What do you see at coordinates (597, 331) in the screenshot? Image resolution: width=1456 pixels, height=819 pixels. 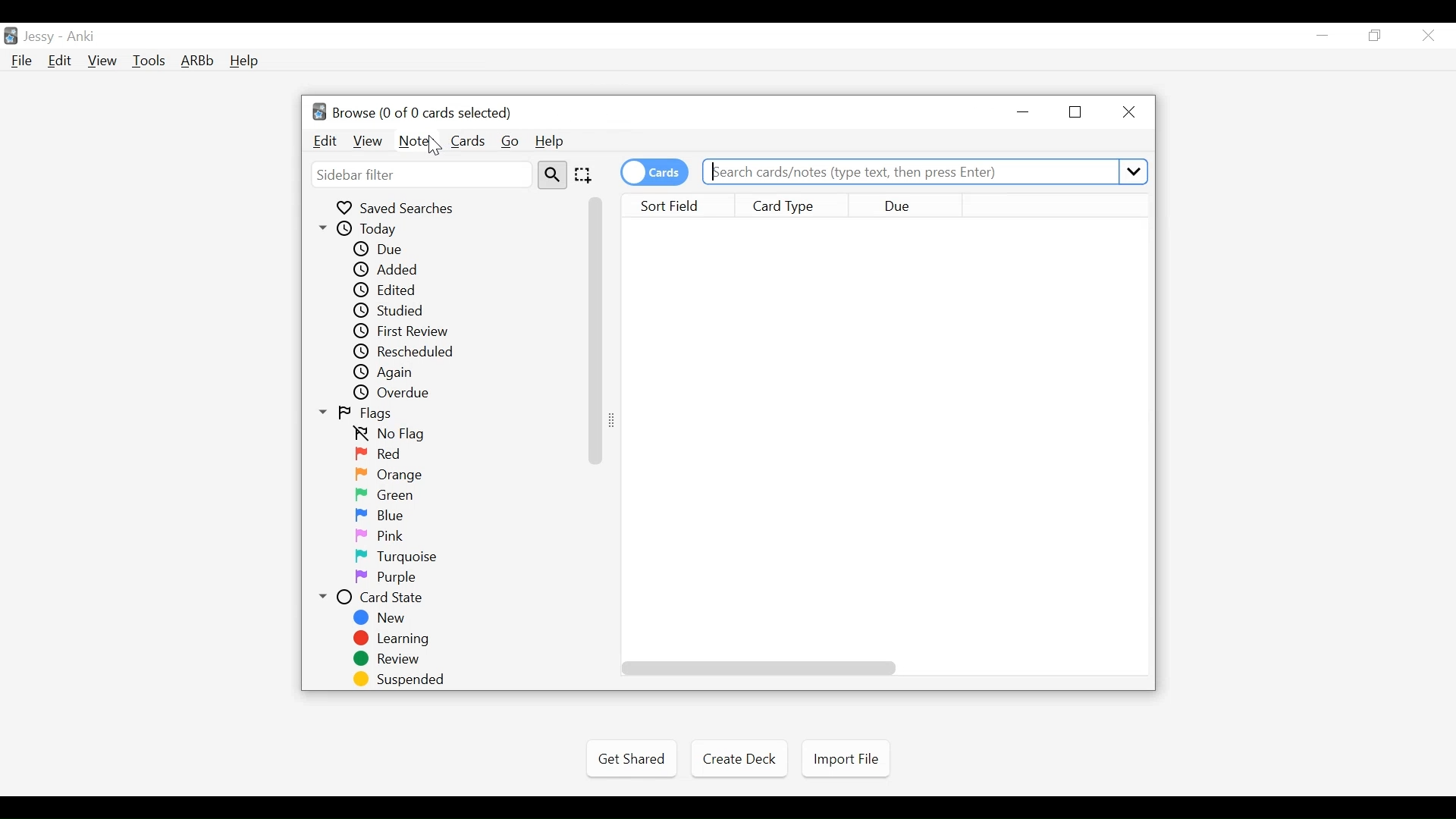 I see `Vertical Scroll bar` at bounding box center [597, 331].